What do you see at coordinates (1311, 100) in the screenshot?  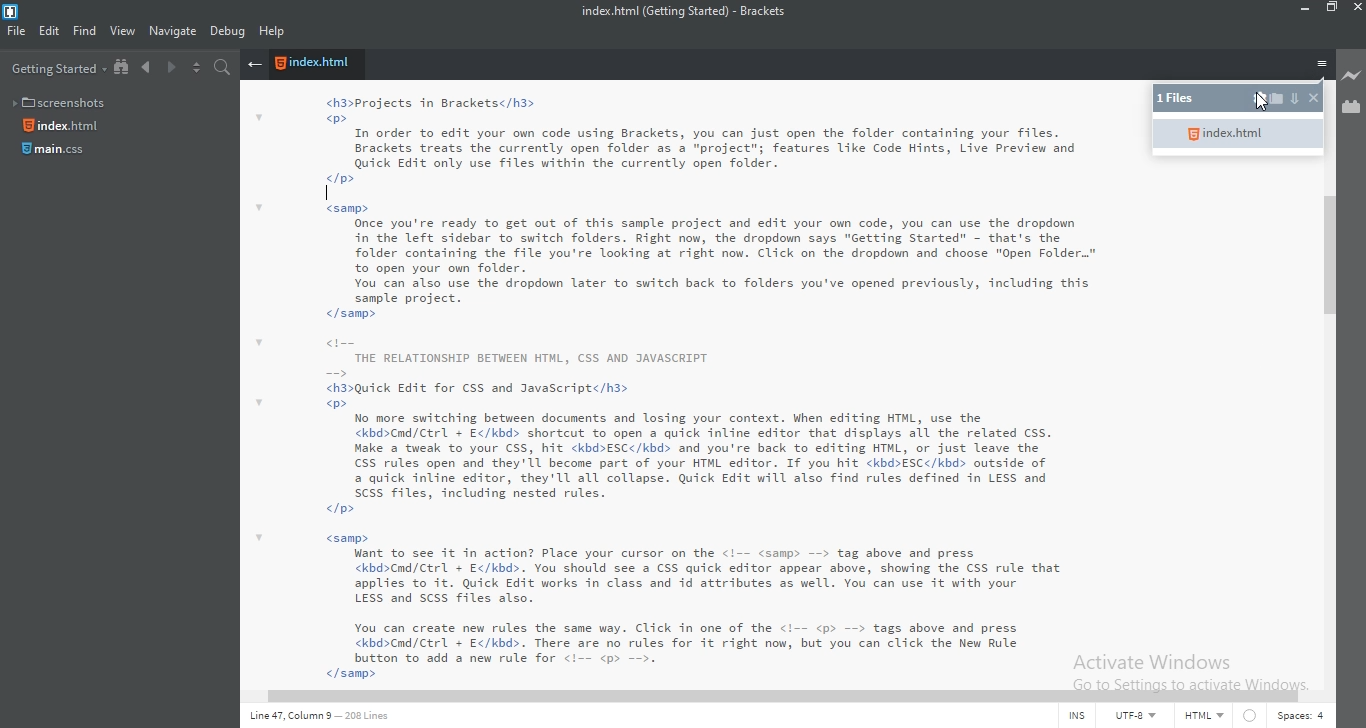 I see `close` at bounding box center [1311, 100].